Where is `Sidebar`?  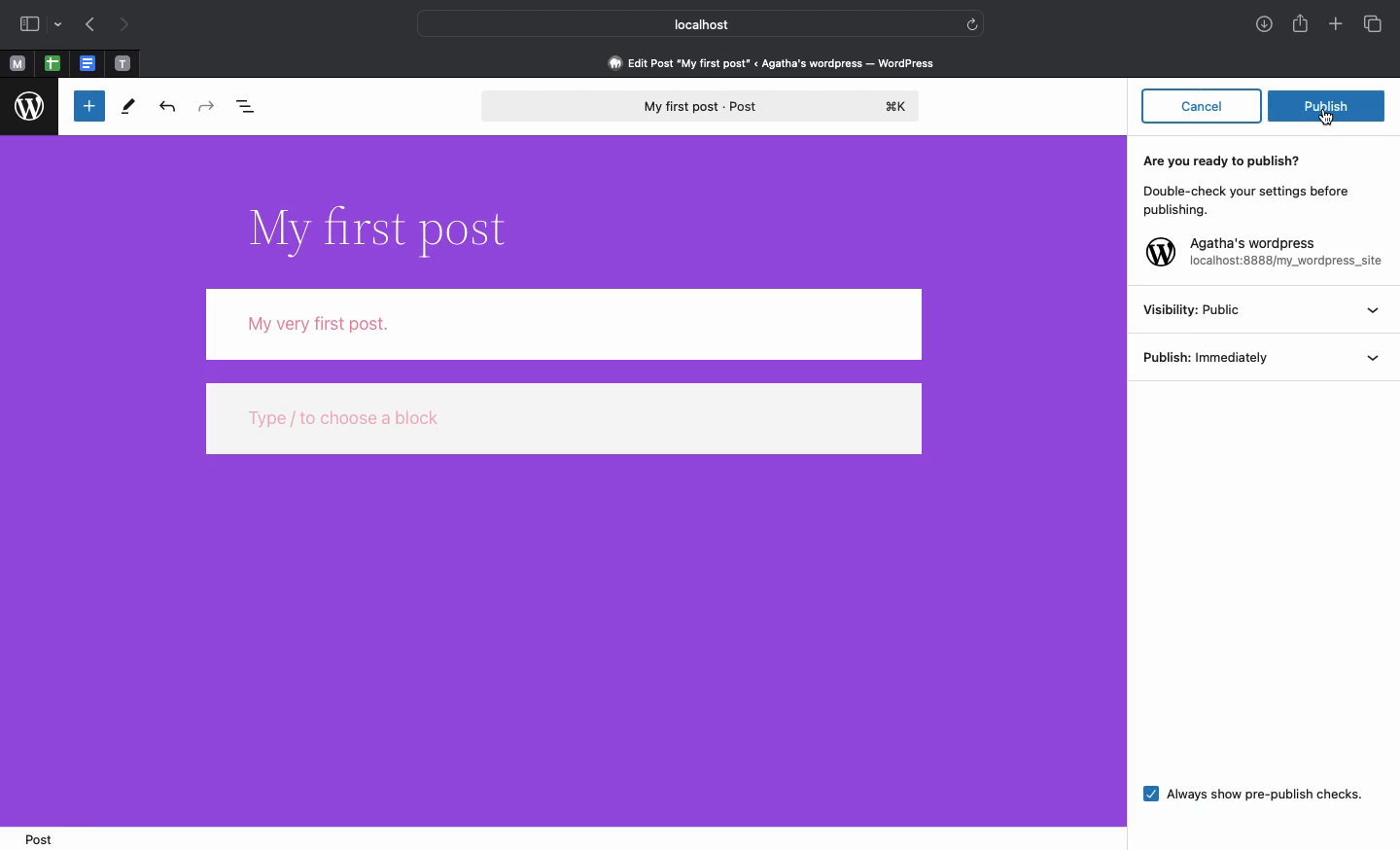
Sidebar is located at coordinates (28, 23).